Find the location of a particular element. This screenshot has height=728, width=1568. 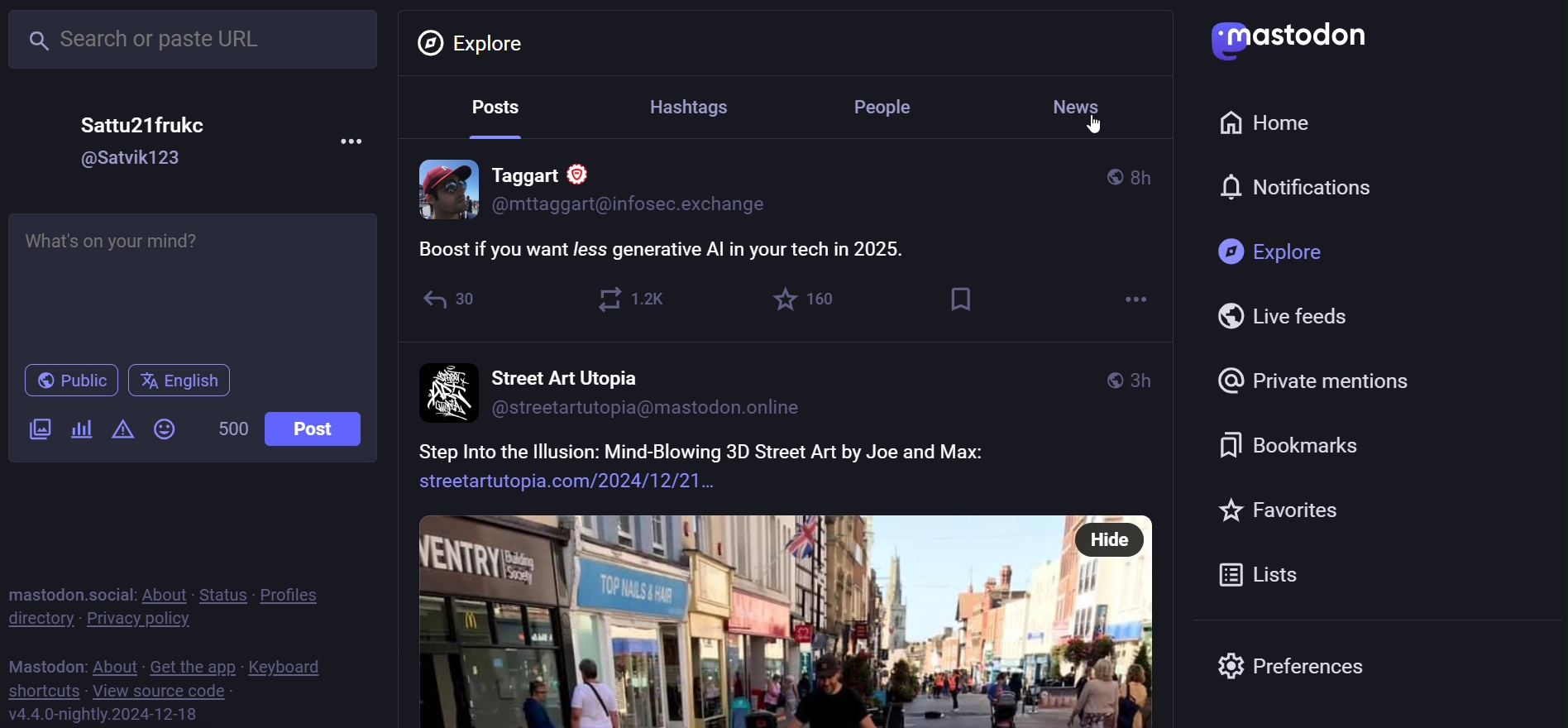

3h is located at coordinates (1145, 377).